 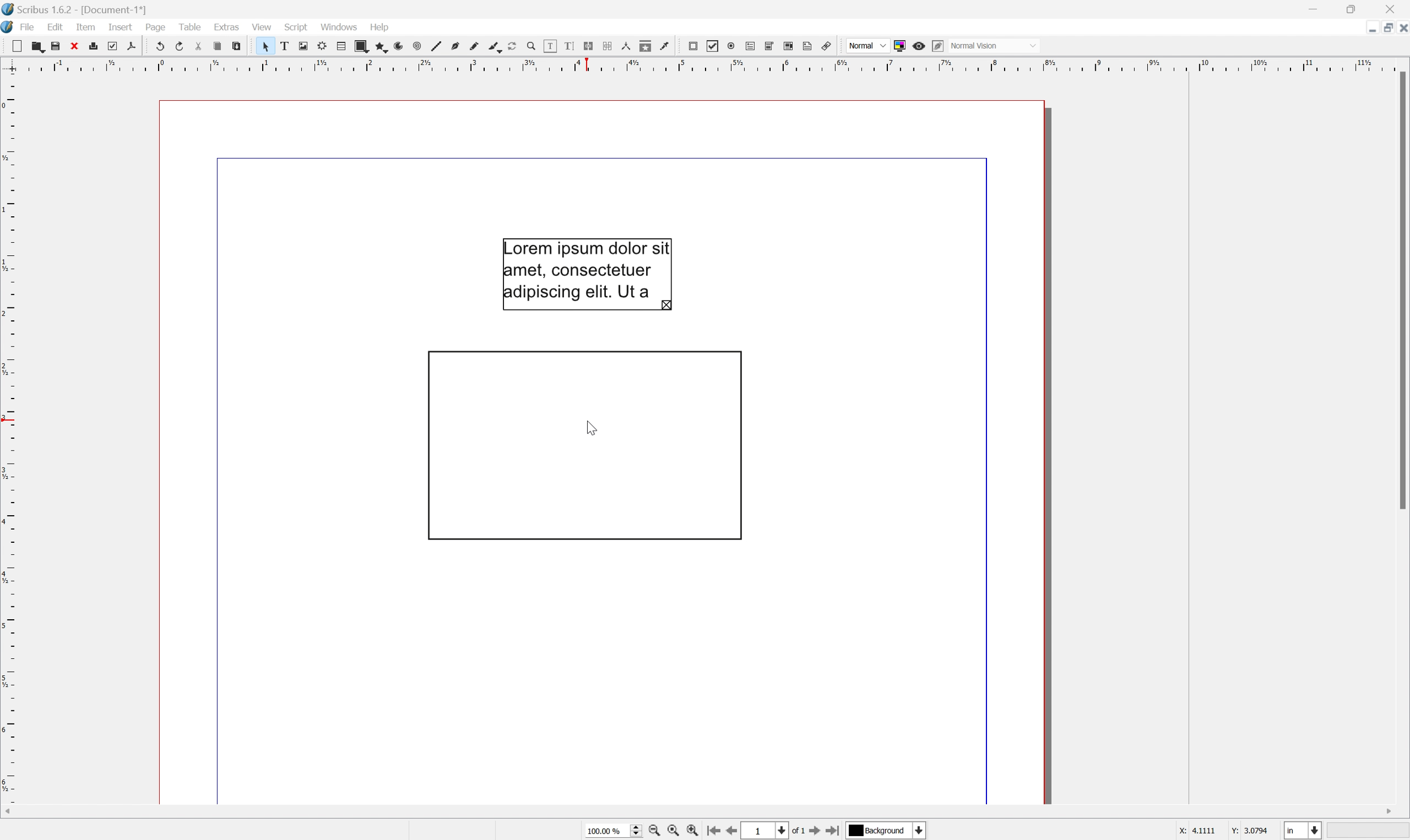 I want to click on Select item, so click(x=262, y=46).